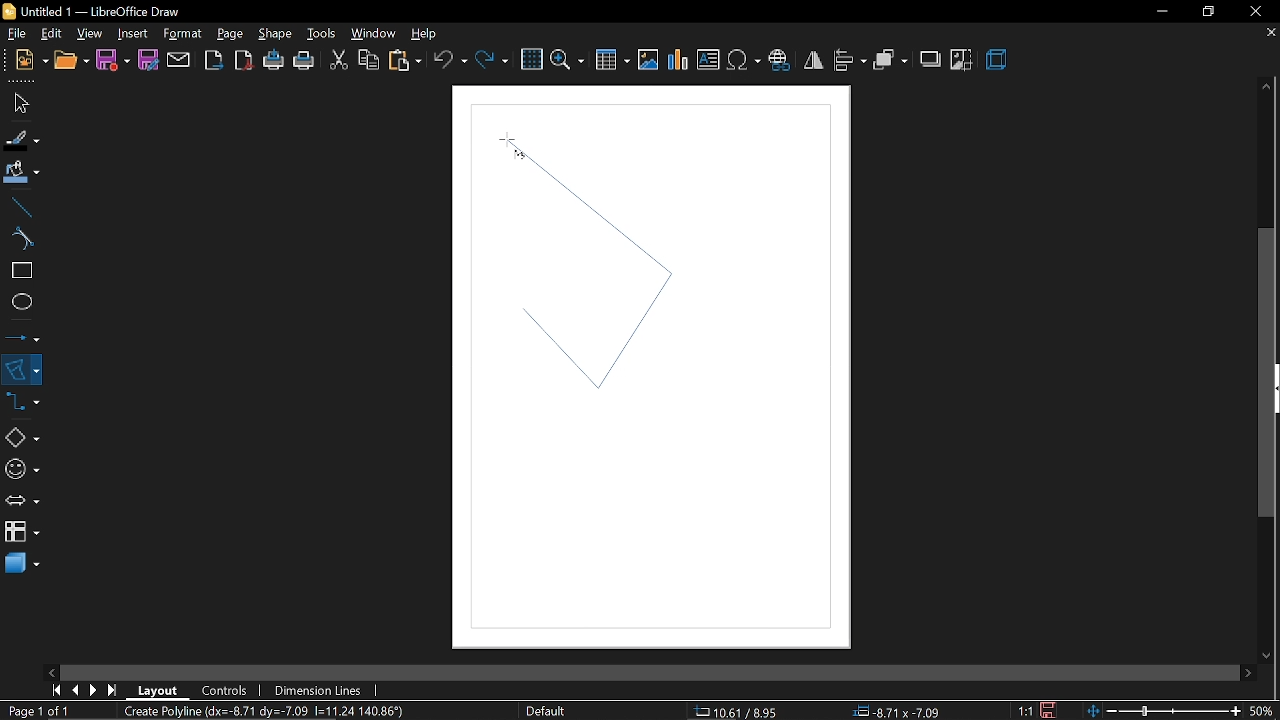 This screenshot has height=720, width=1280. Describe the element at coordinates (491, 58) in the screenshot. I see `redo` at that location.